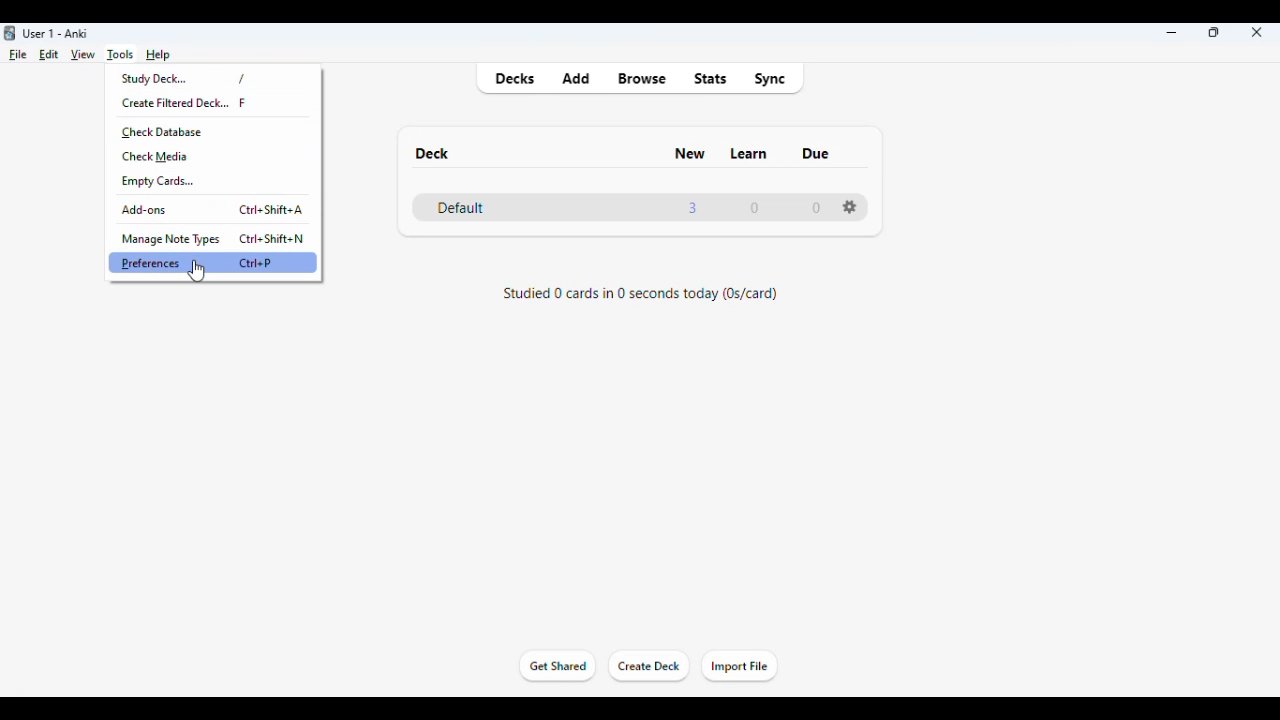  I want to click on sync, so click(769, 79).